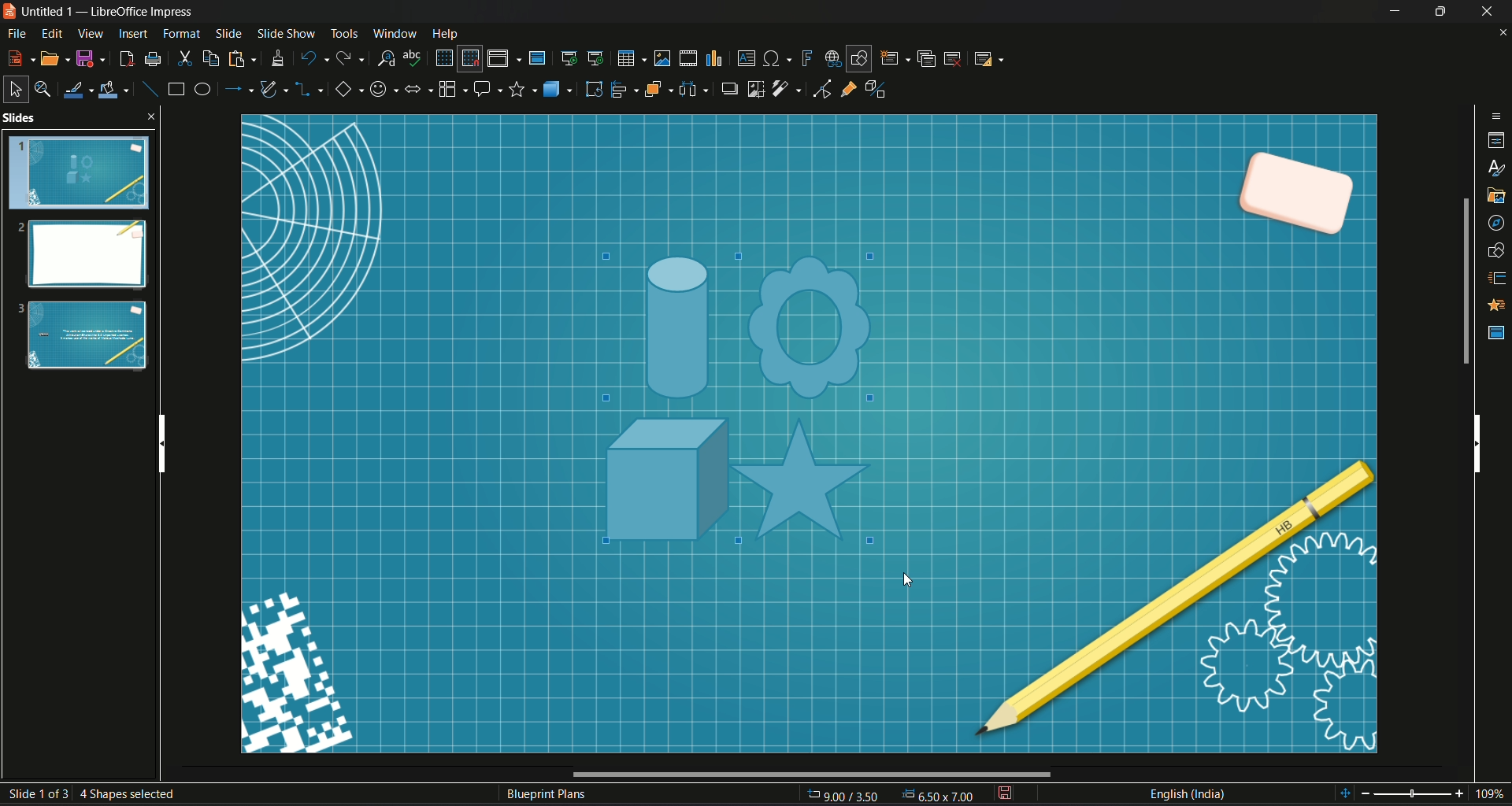 Image resolution: width=1512 pixels, height=806 pixels. Describe the element at coordinates (382, 91) in the screenshot. I see `symbol shape` at that location.